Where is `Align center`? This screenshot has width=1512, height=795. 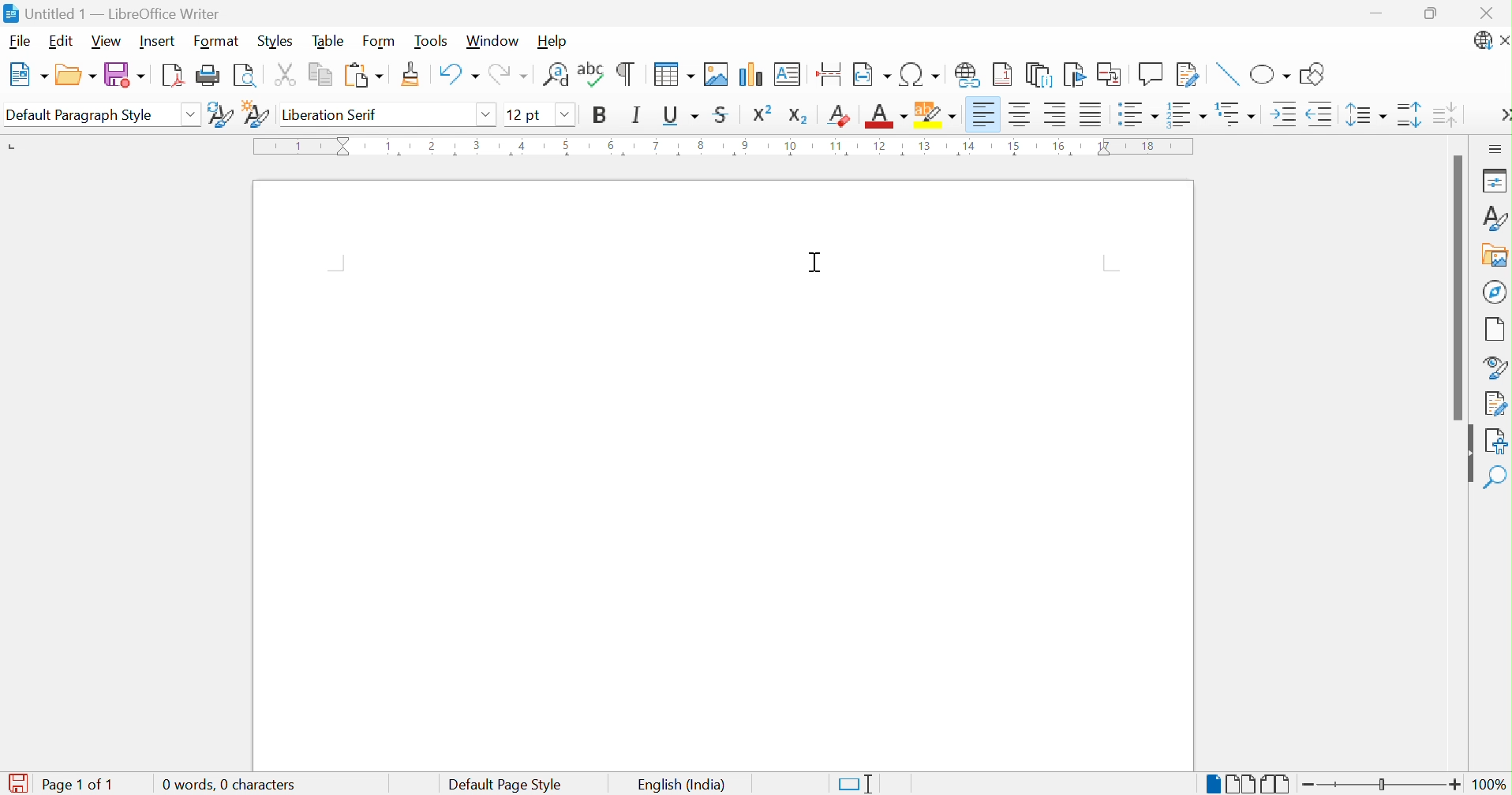 Align center is located at coordinates (1020, 114).